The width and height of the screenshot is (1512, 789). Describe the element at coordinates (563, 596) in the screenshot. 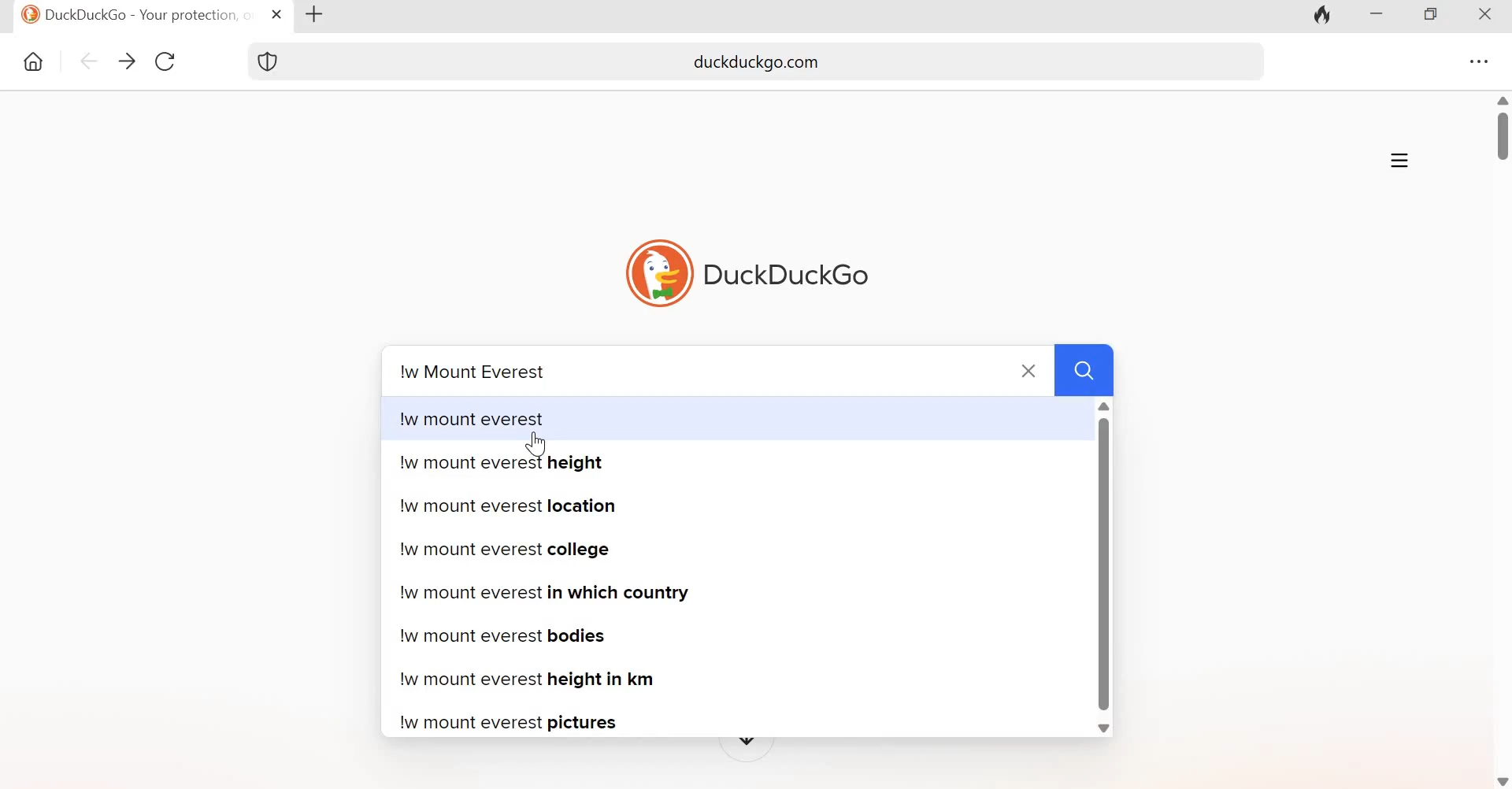

I see `!w mount everest in which country` at that location.